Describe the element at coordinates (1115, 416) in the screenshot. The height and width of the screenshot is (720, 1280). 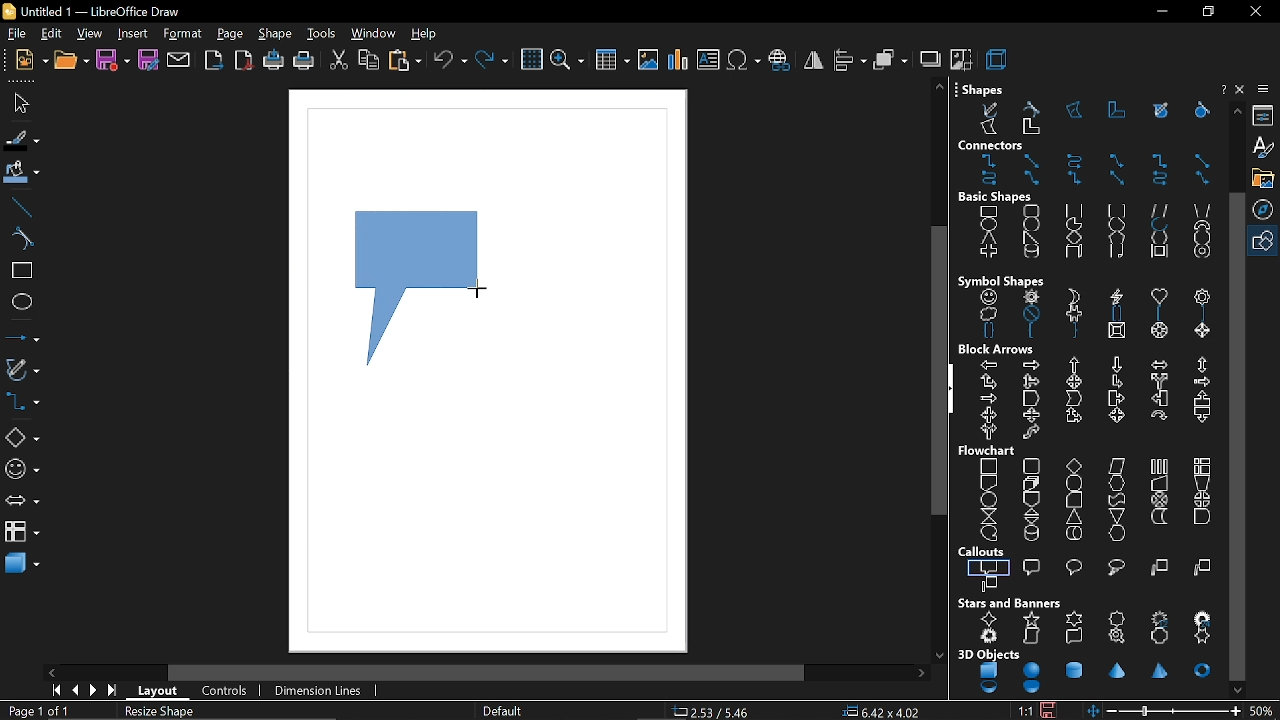
I see `4 way arrow callout` at that location.